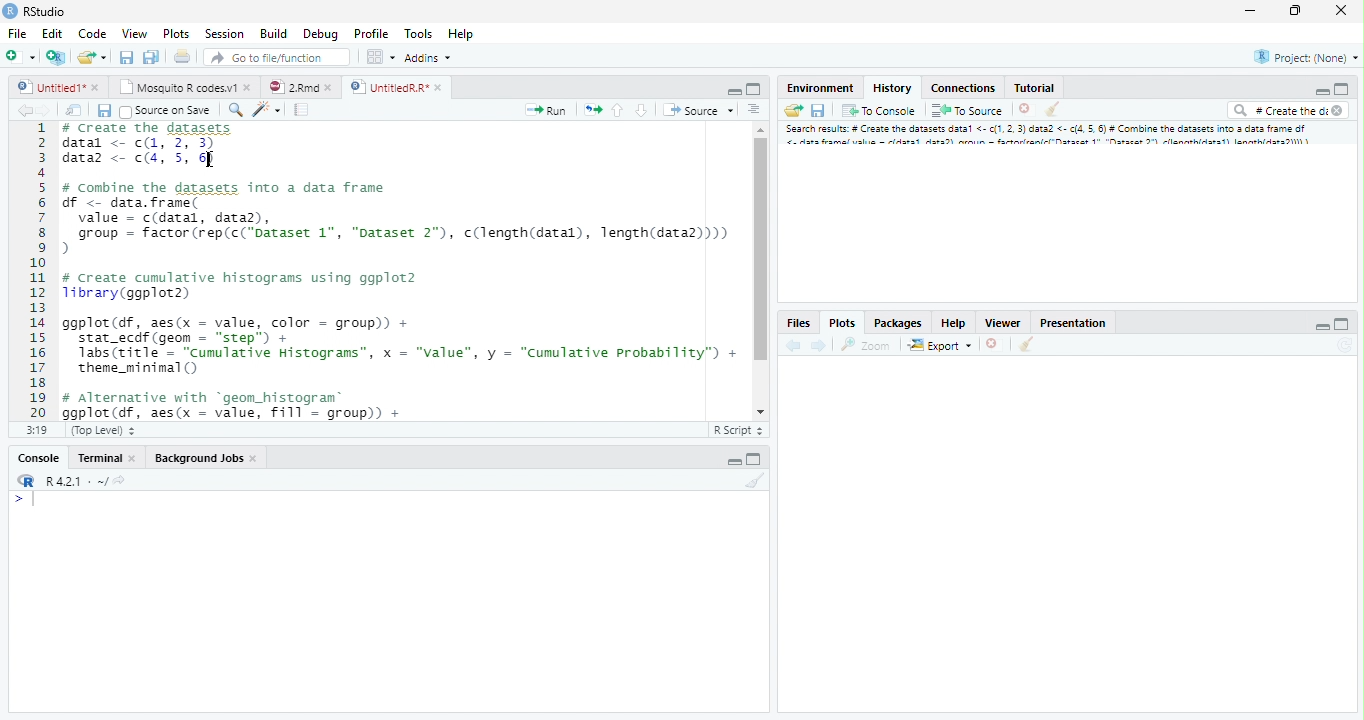 The width and height of the screenshot is (1364, 720). What do you see at coordinates (798, 321) in the screenshot?
I see `Files` at bounding box center [798, 321].